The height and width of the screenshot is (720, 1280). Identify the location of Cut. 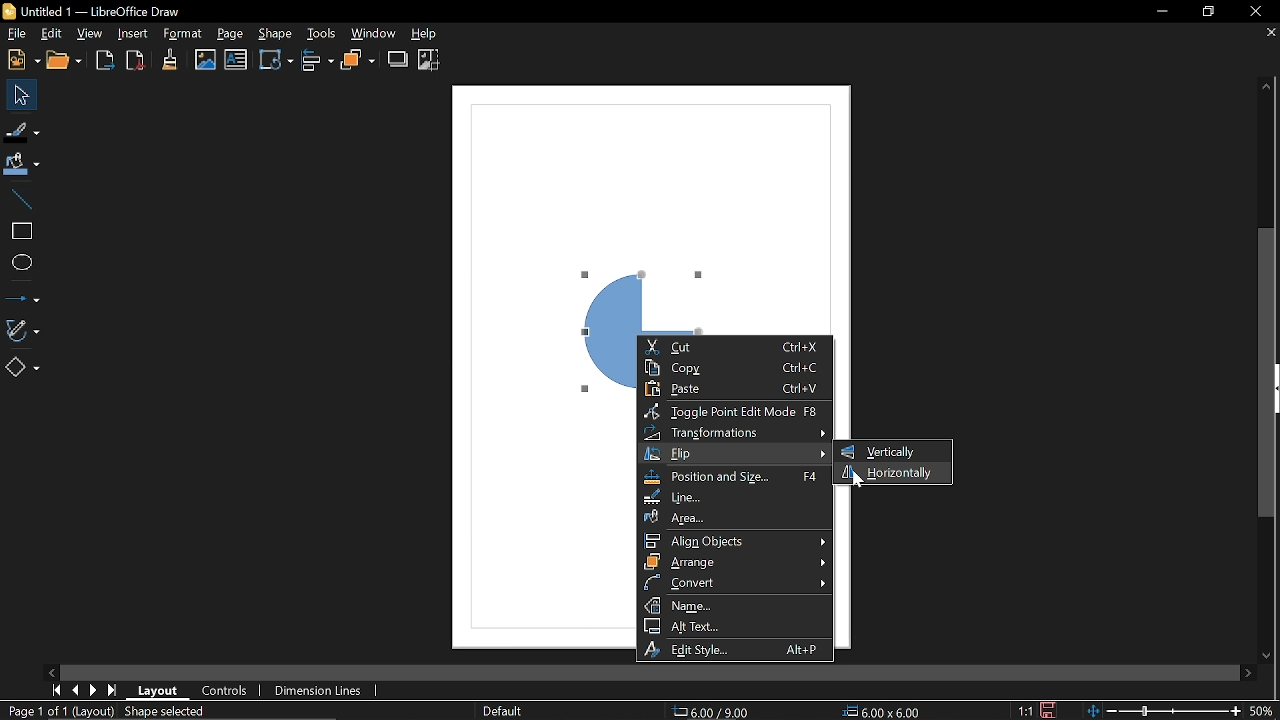
(735, 347).